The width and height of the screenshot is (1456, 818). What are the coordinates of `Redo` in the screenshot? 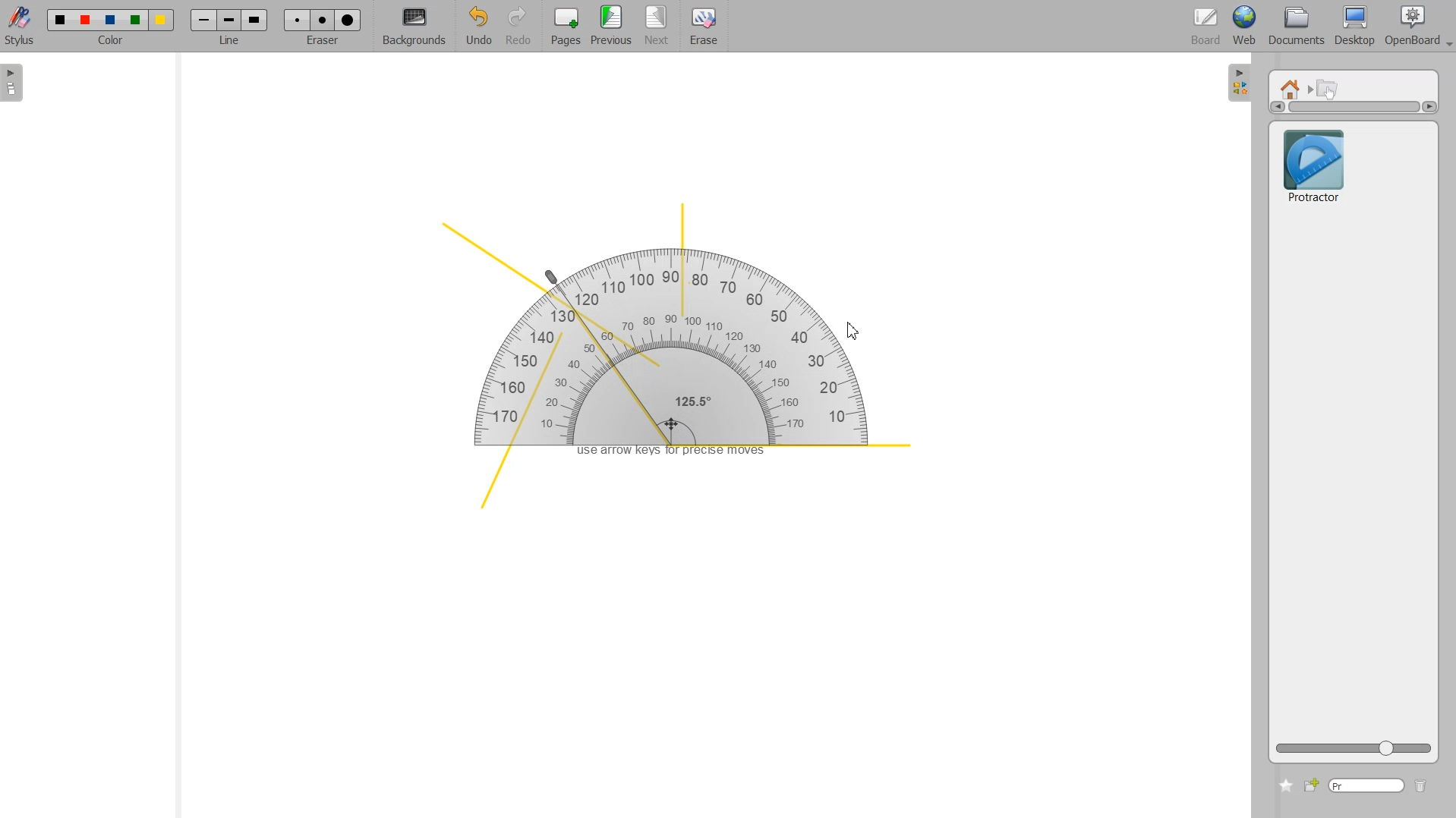 It's located at (518, 27).